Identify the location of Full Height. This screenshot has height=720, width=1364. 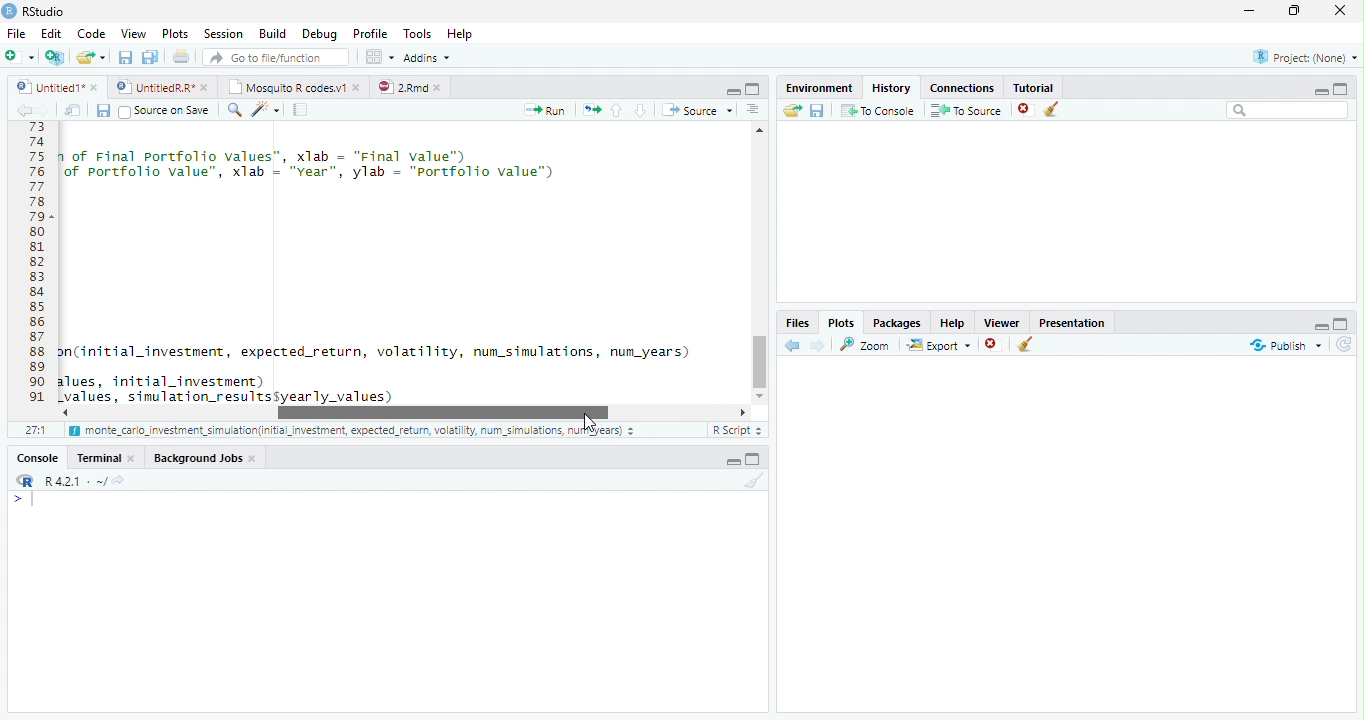
(756, 458).